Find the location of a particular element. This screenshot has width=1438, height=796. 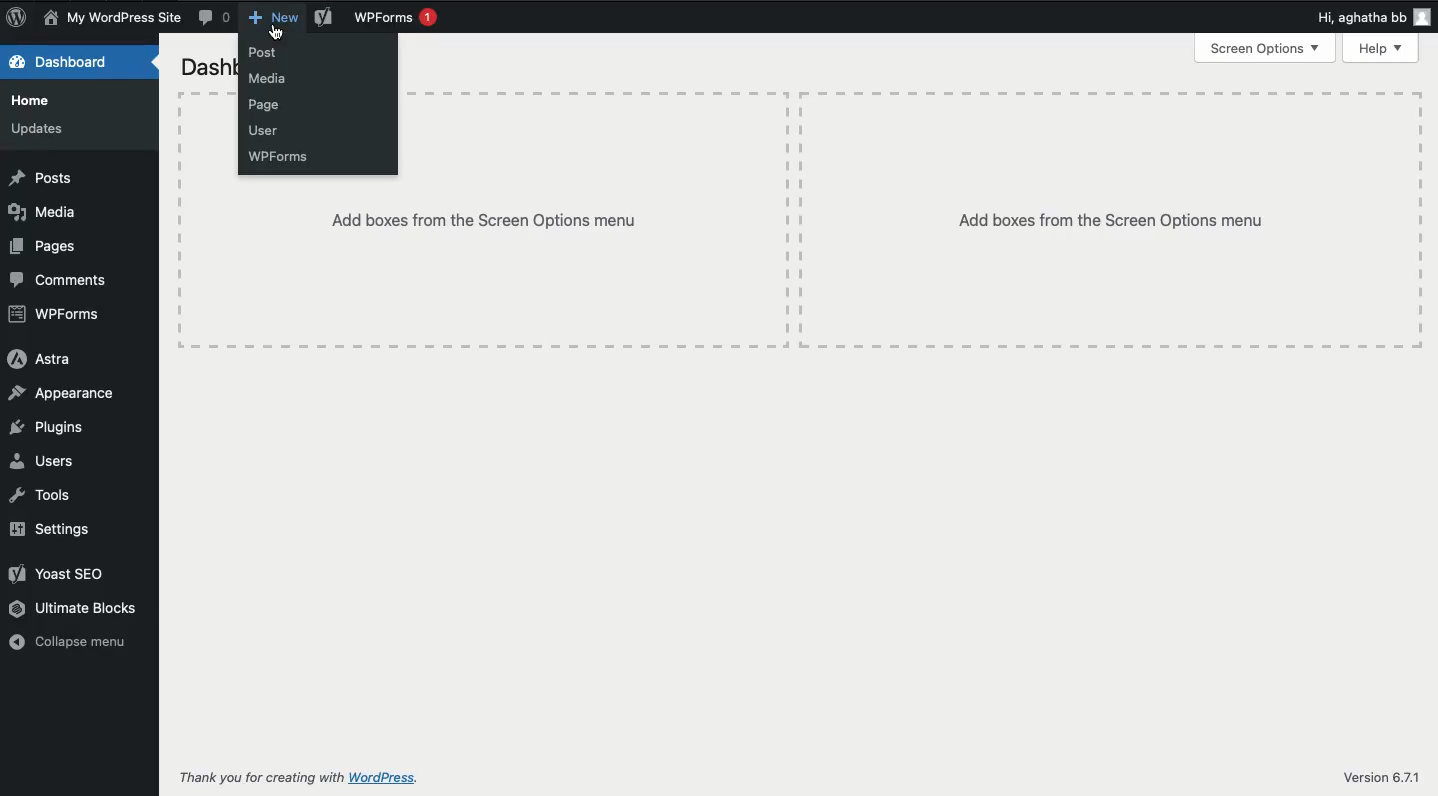

Help is located at coordinates (1381, 49).